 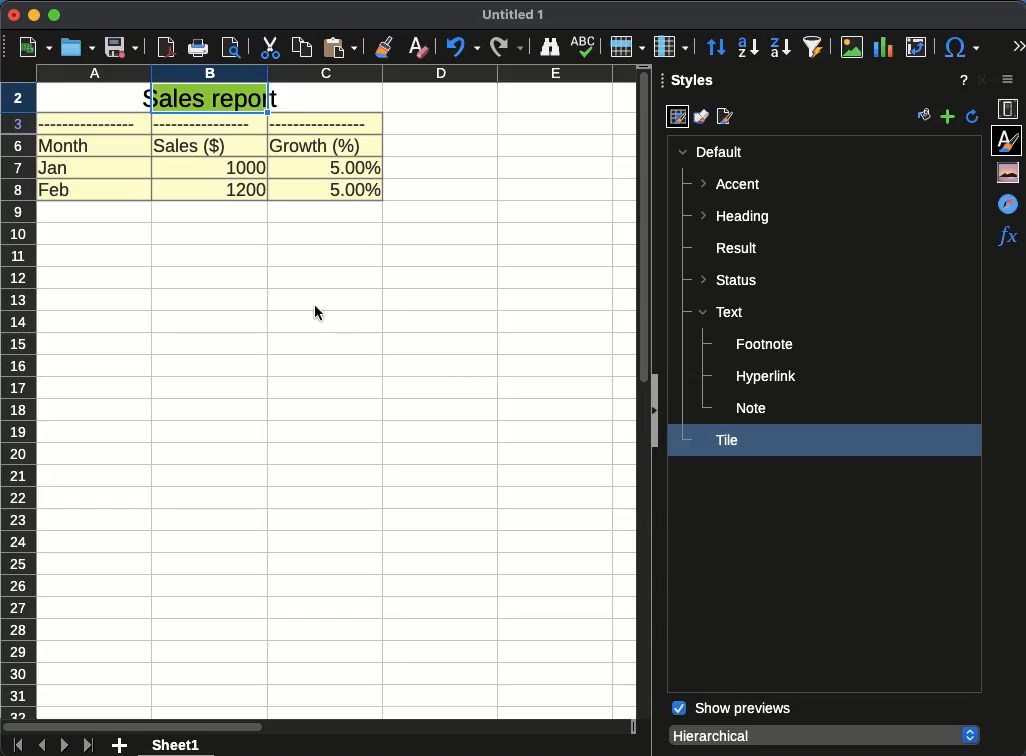 What do you see at coordinates (318, 124) in the screenshot?
I see `blank` at bounding box center [318, 124].